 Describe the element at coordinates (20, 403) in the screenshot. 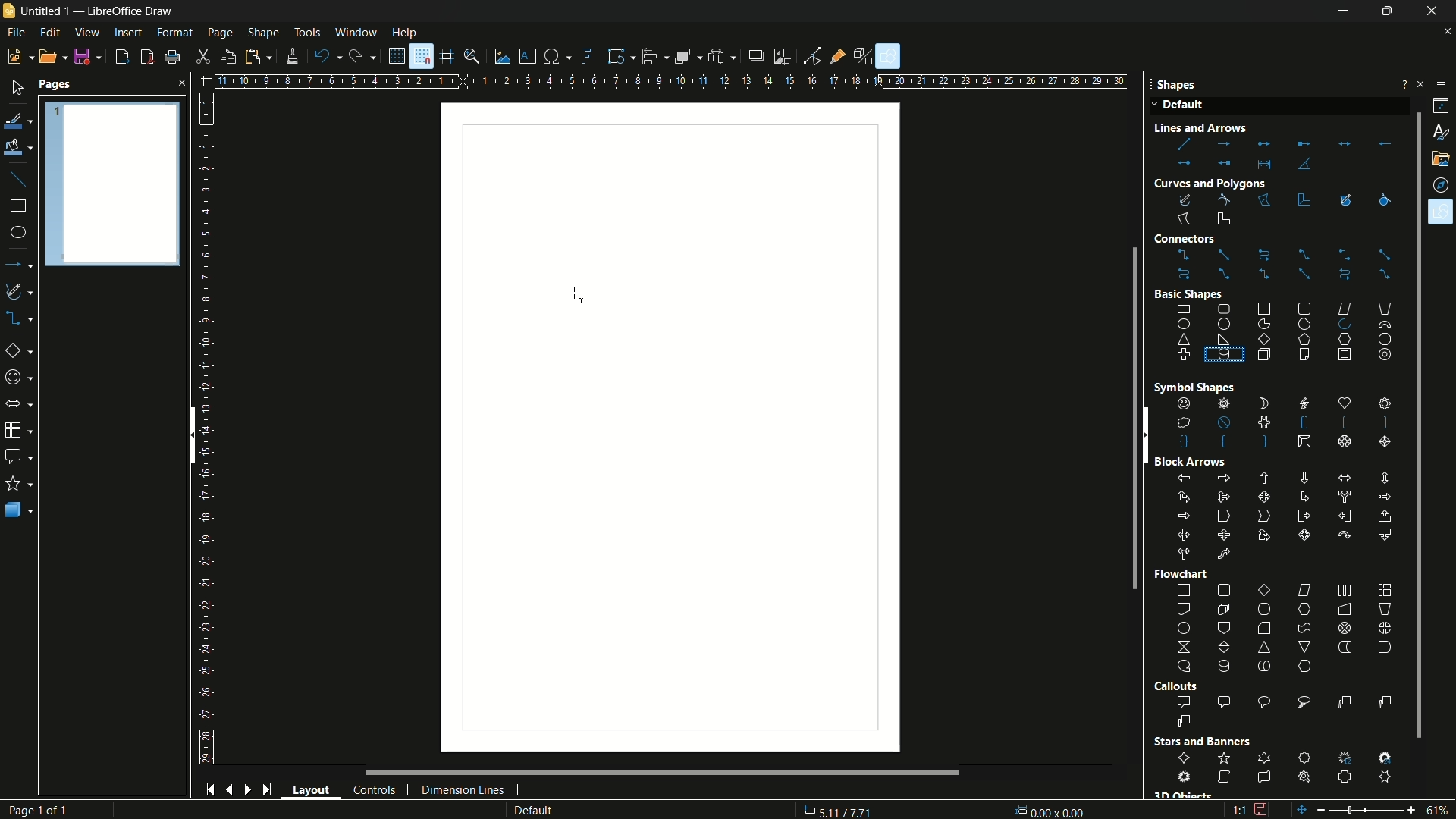

I see `block arrows` at that location.